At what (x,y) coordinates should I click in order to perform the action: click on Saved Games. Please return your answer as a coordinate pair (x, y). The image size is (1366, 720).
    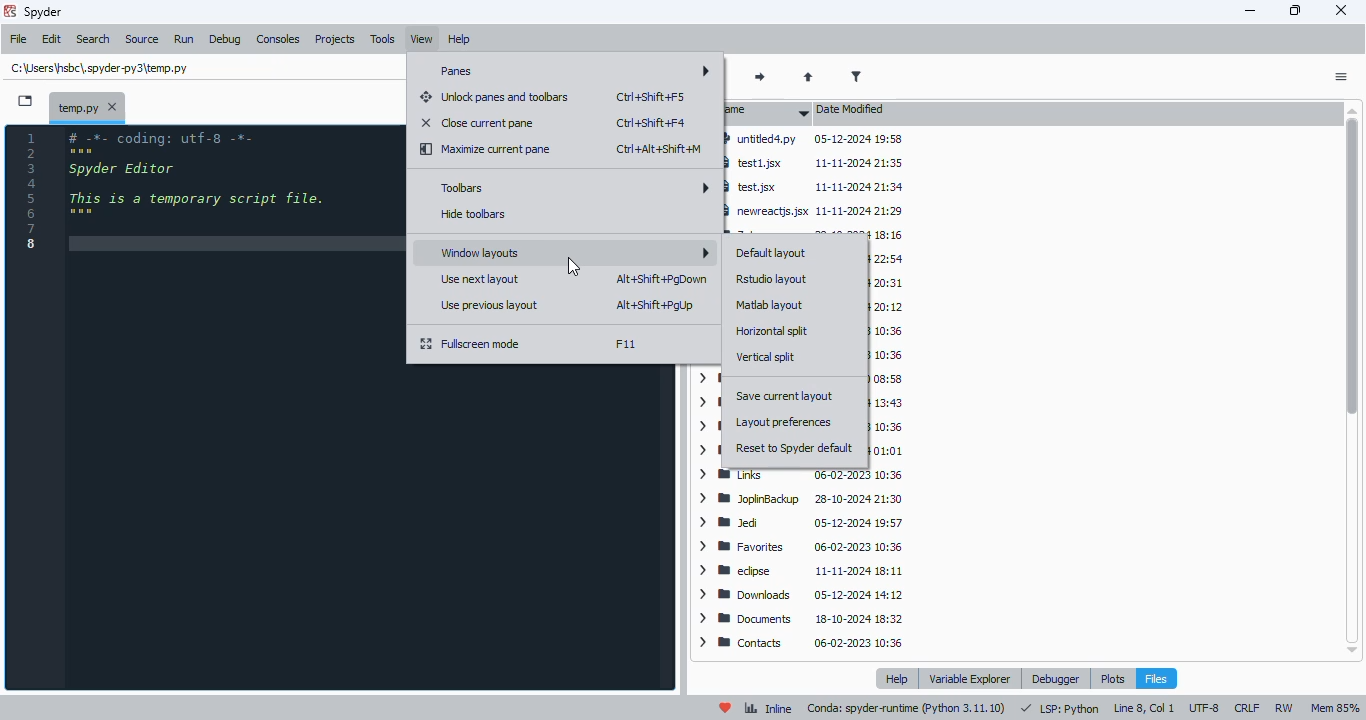
    Looking at the image, I should click on (883, 354).